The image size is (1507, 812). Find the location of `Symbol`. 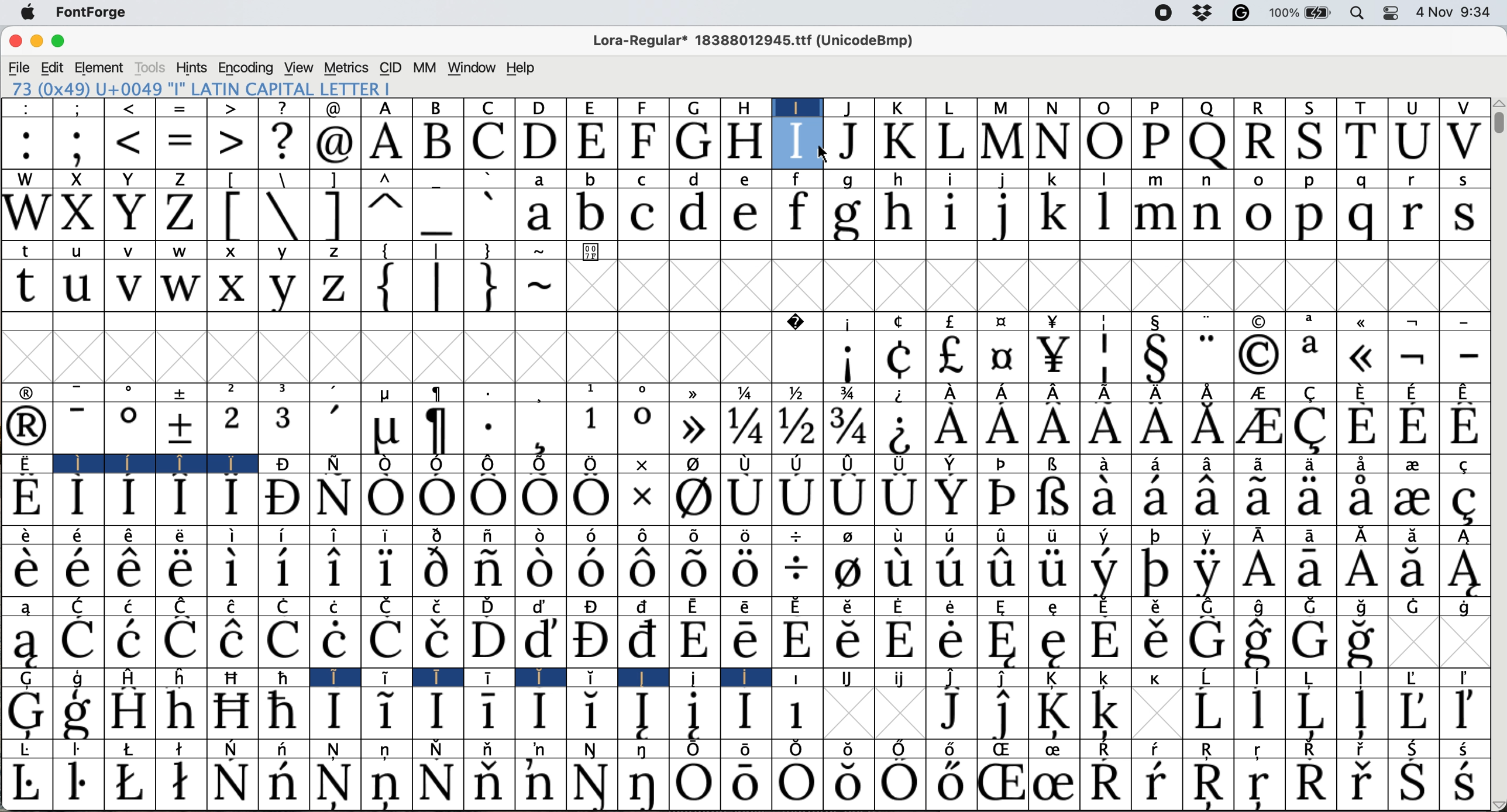

Symbol is located at coordinates (490, 712).